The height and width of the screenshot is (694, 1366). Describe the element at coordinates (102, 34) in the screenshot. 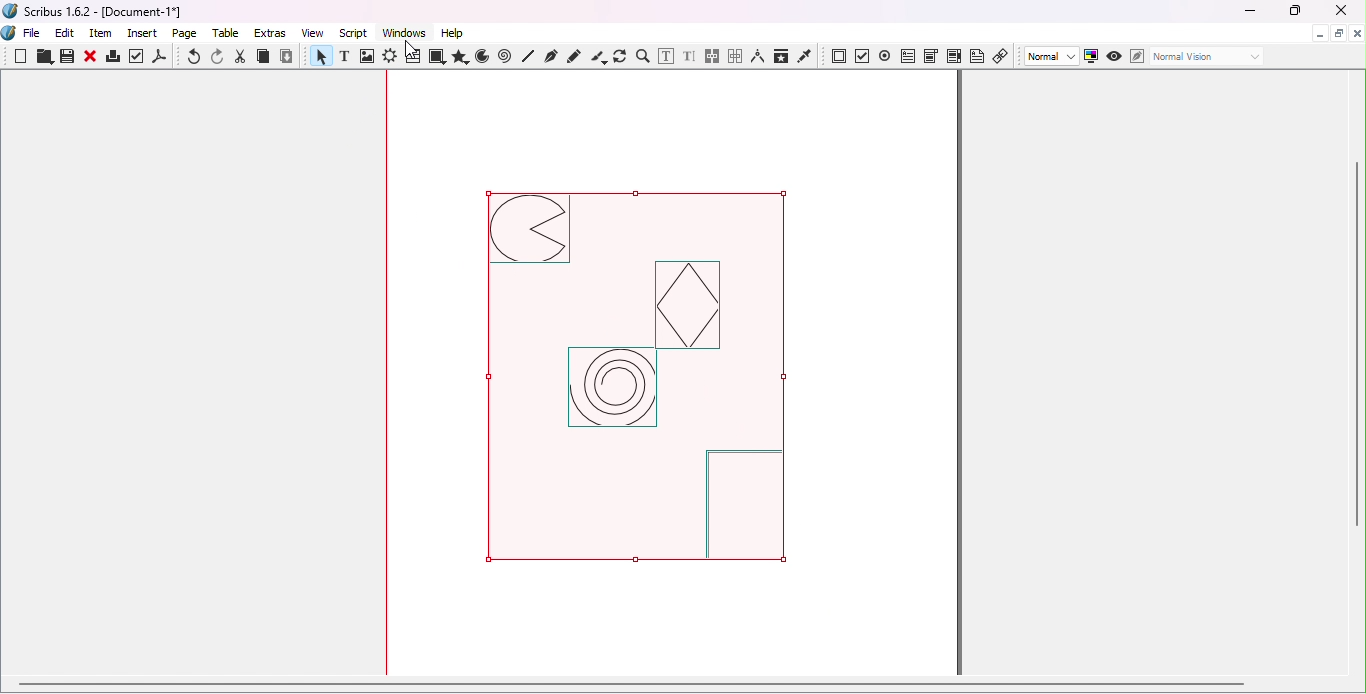

I see `Item` at that location.